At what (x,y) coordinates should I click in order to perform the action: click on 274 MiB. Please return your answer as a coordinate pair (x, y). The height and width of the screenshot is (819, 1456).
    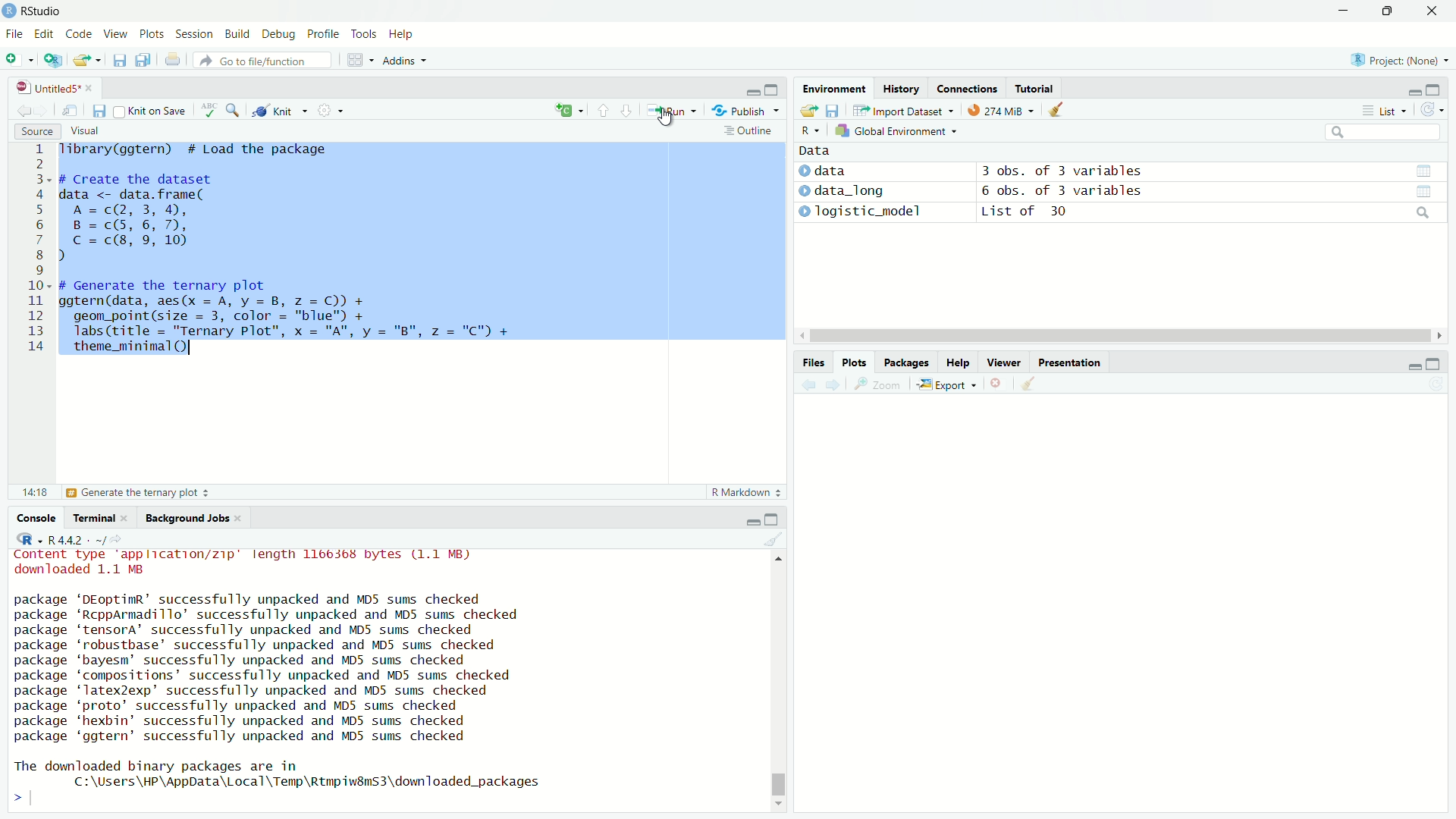
    Looking at the image, I should click on (996, 111).